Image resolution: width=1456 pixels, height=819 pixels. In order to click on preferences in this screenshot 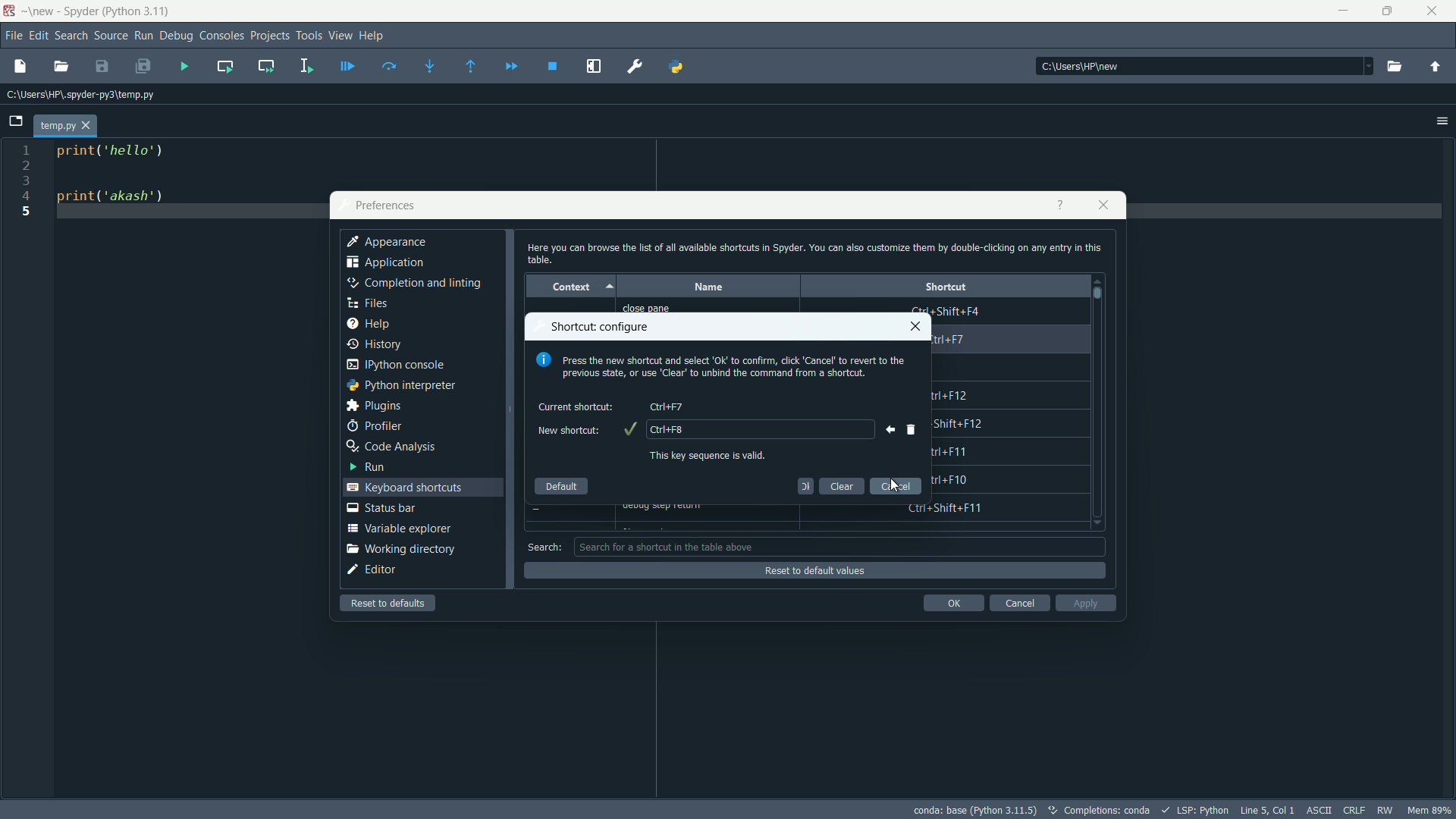, I will do `click(384, 206)`.